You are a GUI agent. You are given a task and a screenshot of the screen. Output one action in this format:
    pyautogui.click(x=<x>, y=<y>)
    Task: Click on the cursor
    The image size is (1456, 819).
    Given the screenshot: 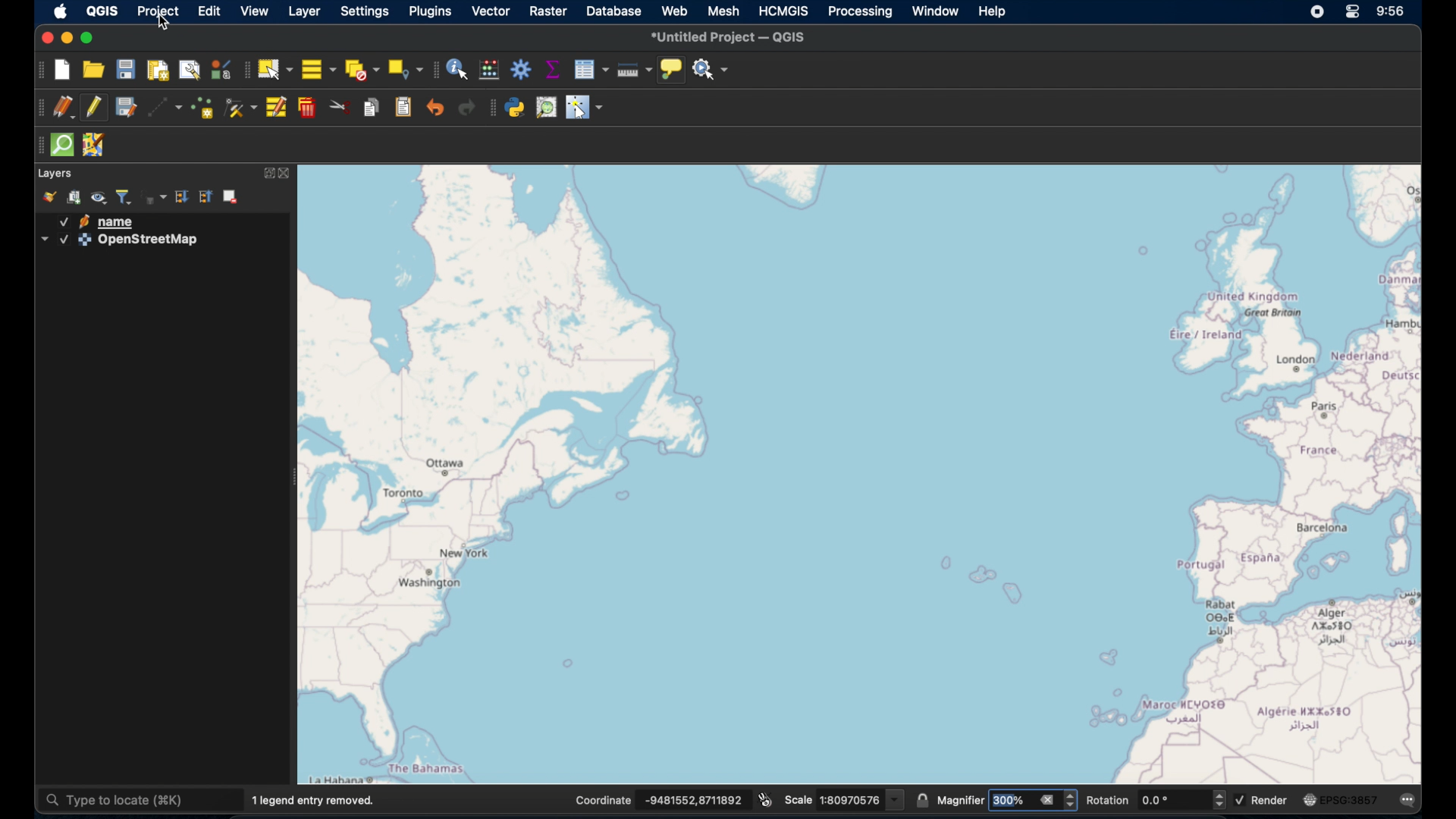 What is the action you would take?
    pyautogui.click(x=158, y=23)
    